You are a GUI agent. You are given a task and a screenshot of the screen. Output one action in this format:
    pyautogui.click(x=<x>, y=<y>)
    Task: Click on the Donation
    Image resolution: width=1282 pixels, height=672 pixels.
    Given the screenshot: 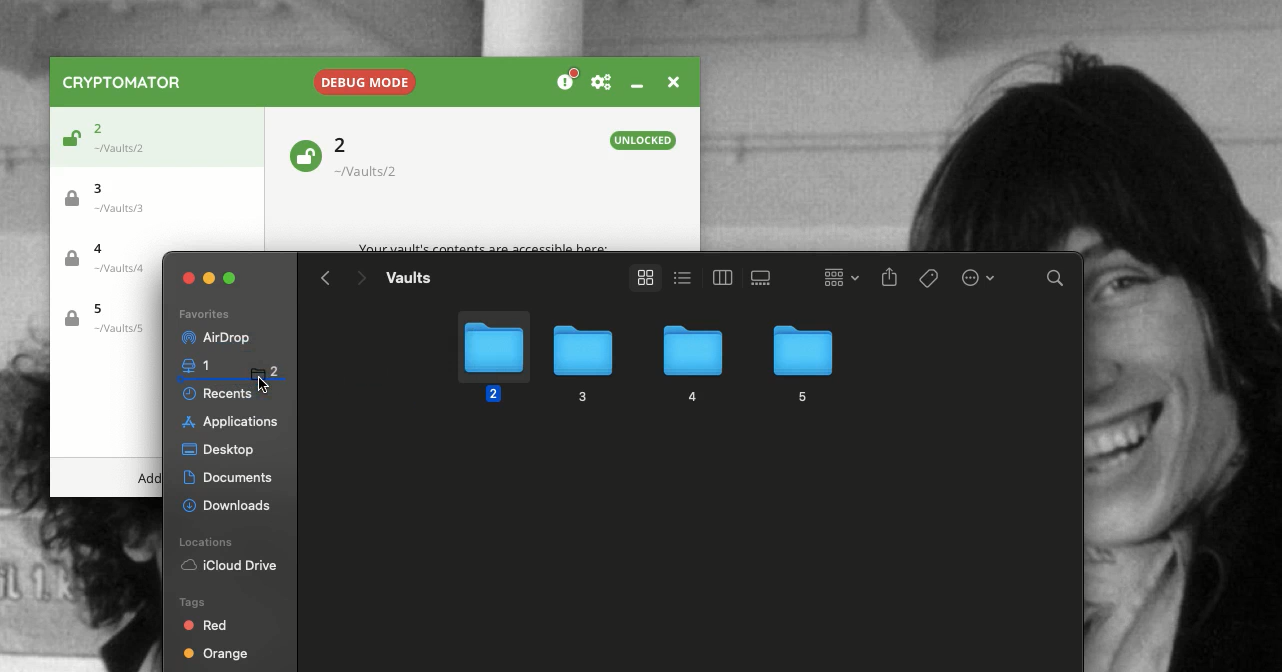 What is the action you would take?
    pyautogui.click(x=568, y=81)
    